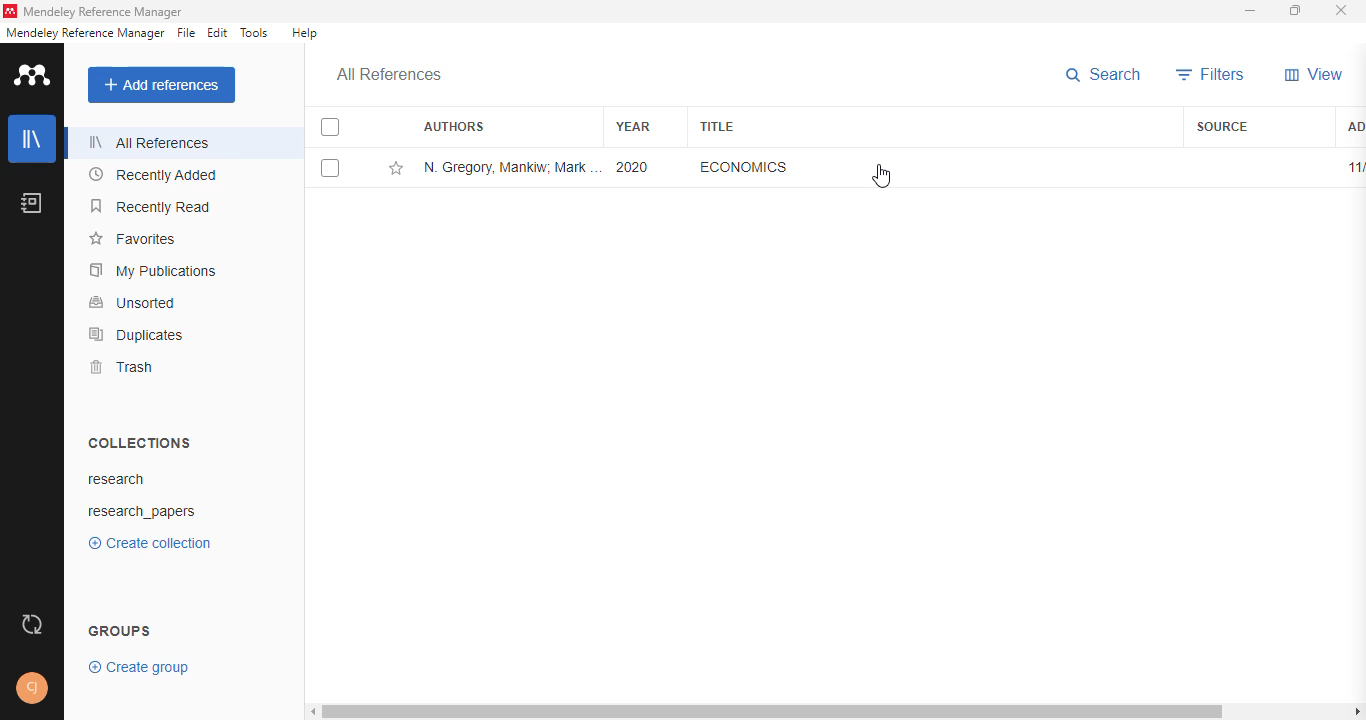  What do you see at coordinates (145, 142) in the screenshot?
I see `all references` at bounding box center [145, 142].